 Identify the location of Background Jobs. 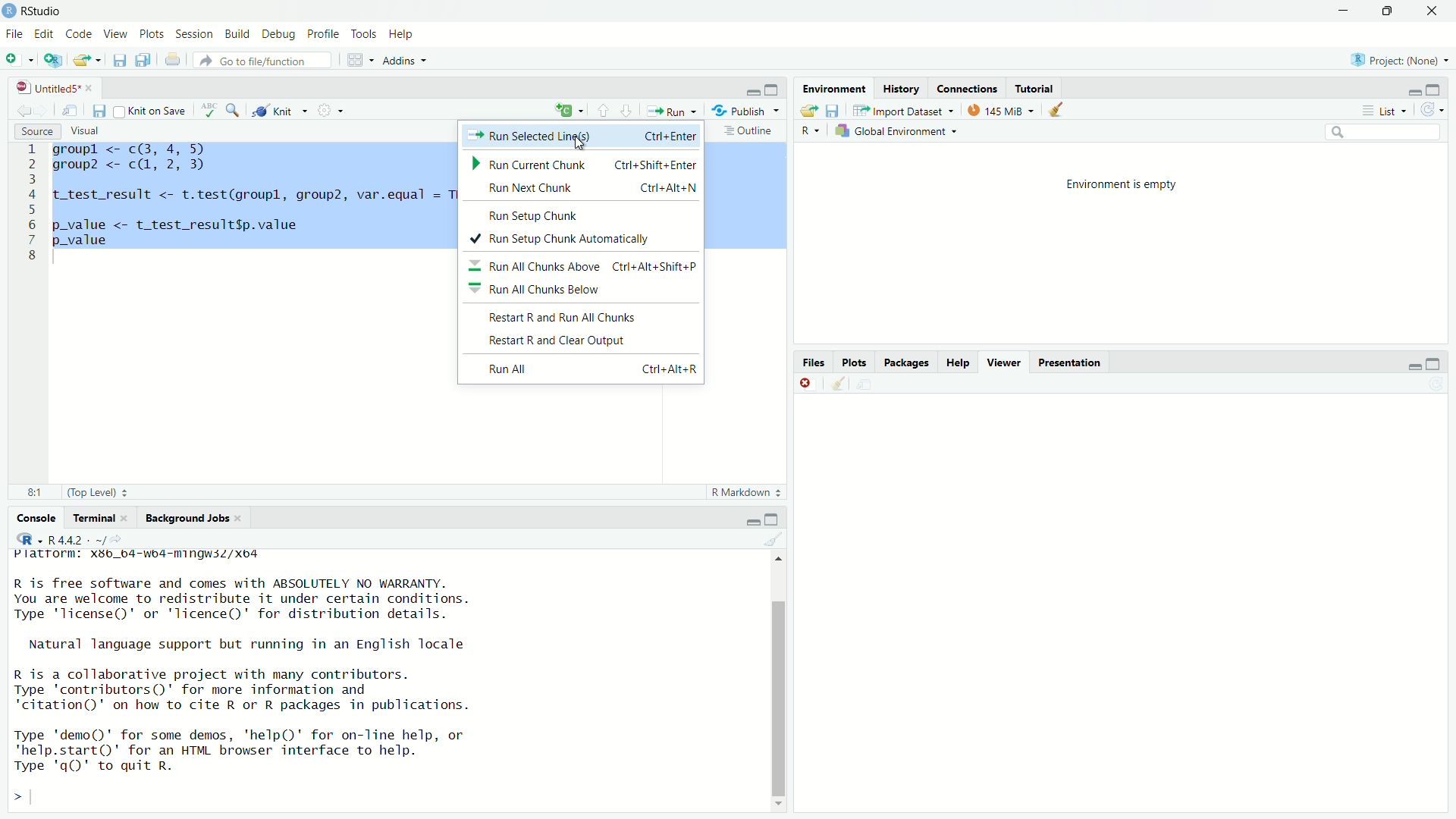
(193, 519).